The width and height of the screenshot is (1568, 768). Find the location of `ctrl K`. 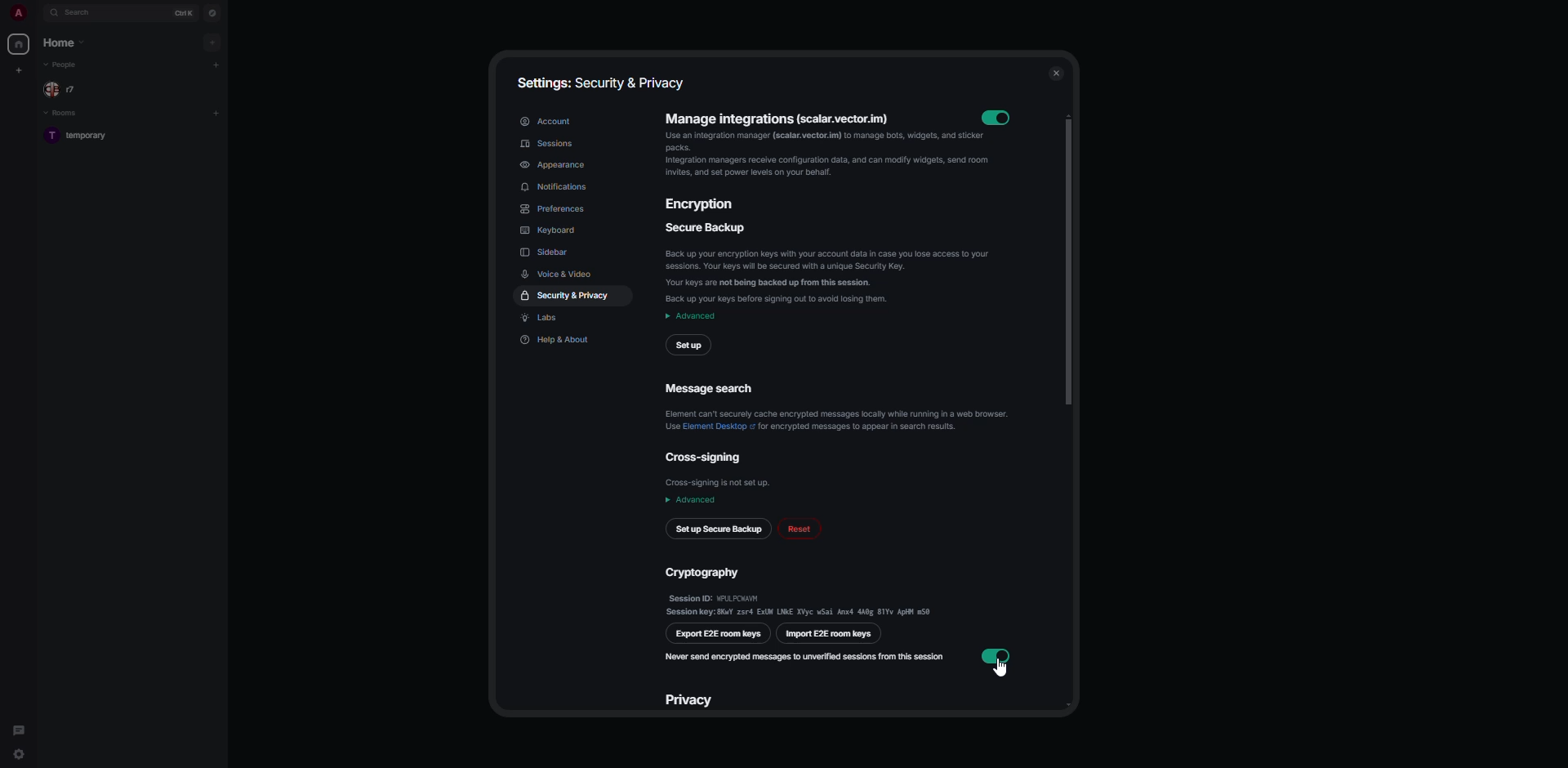

ctrl K is located at coordinates (185, 11).